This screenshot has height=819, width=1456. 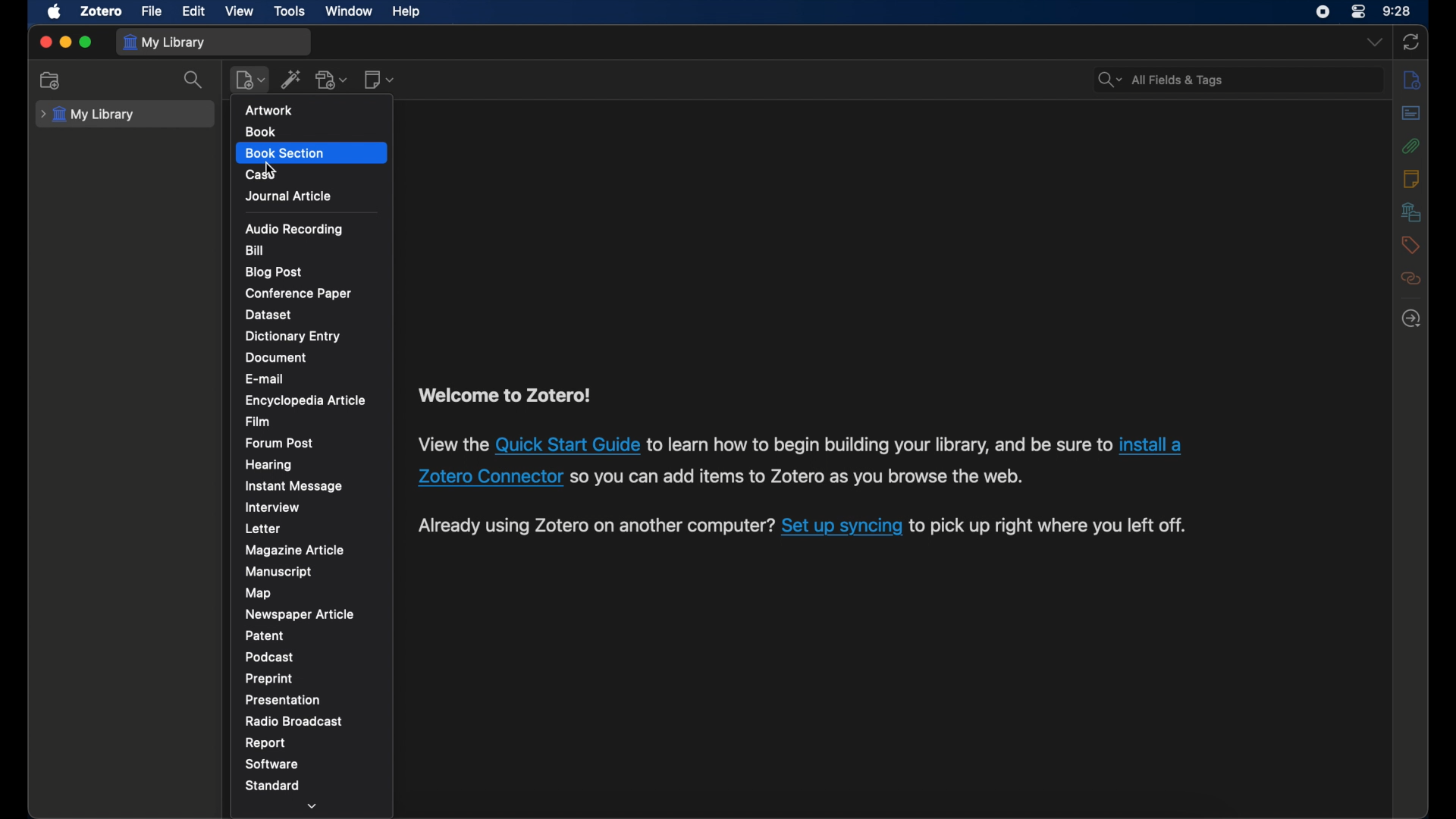 What do you see at coordinates (265, 380) in the screenshot?
I see `e-mail` at bounding box center [265, 380].